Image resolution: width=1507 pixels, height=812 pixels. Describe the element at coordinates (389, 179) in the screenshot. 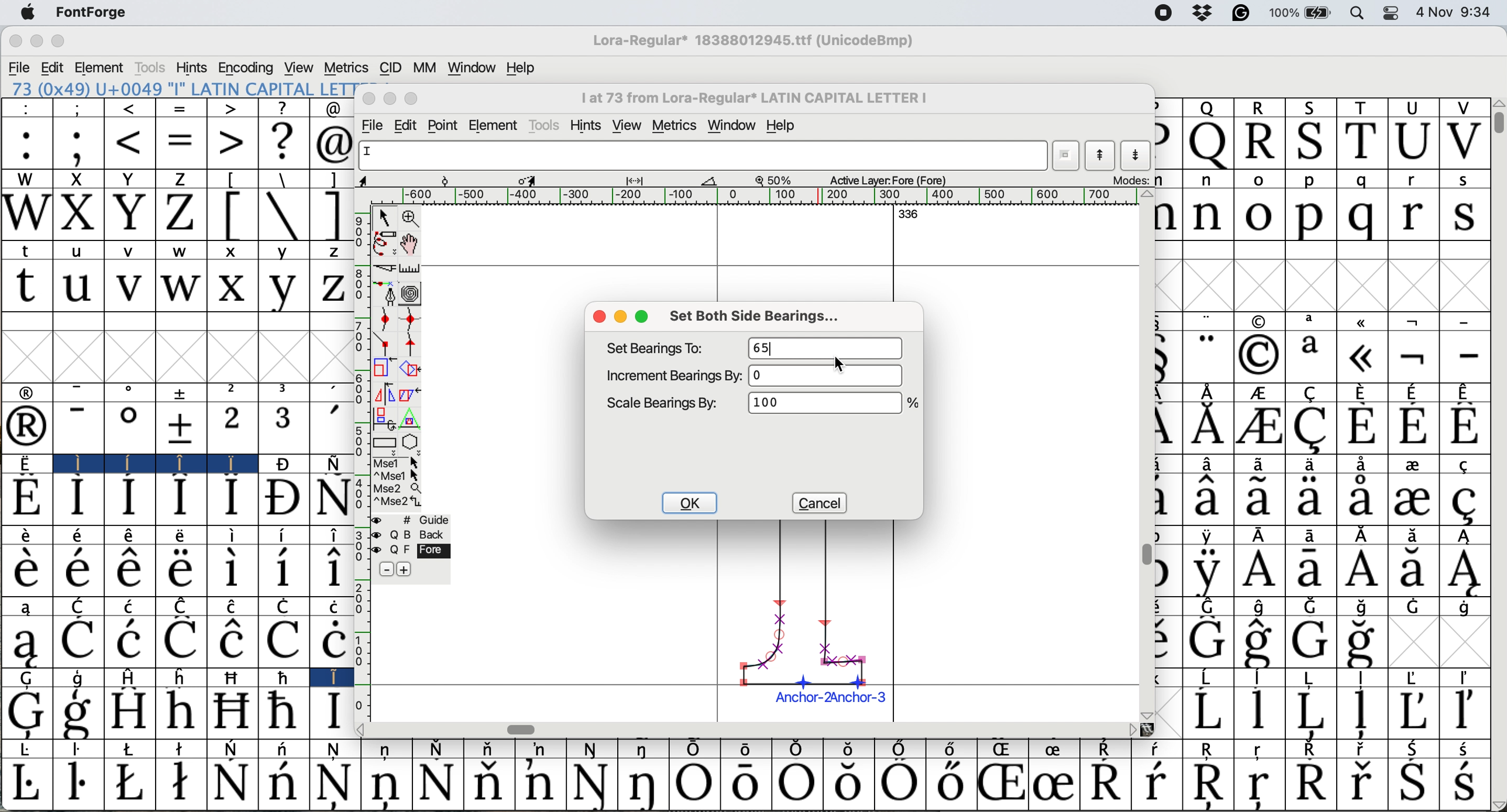

I see `` at that location.